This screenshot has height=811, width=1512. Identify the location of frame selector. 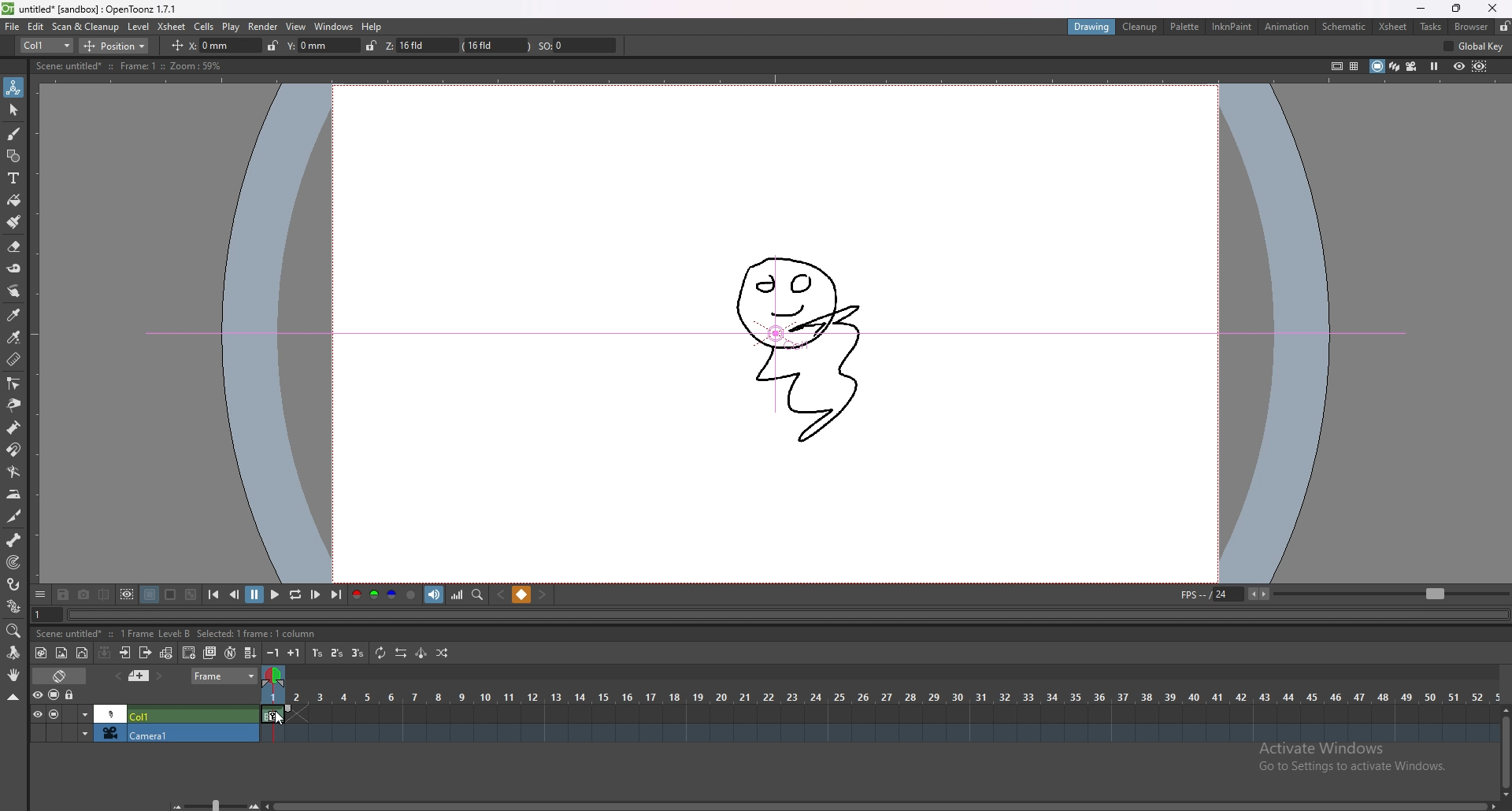
(276, 676).